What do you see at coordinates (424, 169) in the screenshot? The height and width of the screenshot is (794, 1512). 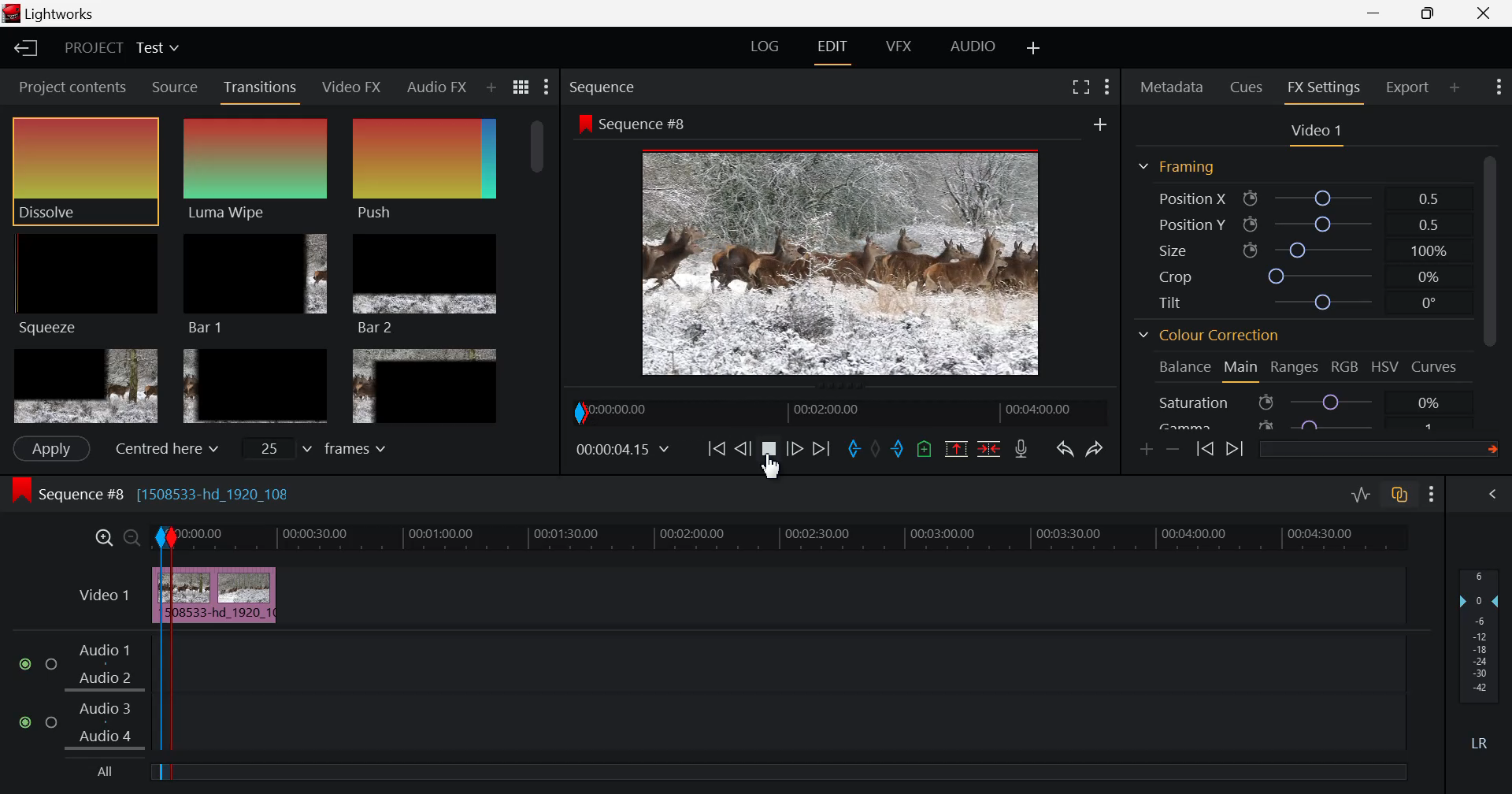 I see `Push` at bounding box center [424, 169].